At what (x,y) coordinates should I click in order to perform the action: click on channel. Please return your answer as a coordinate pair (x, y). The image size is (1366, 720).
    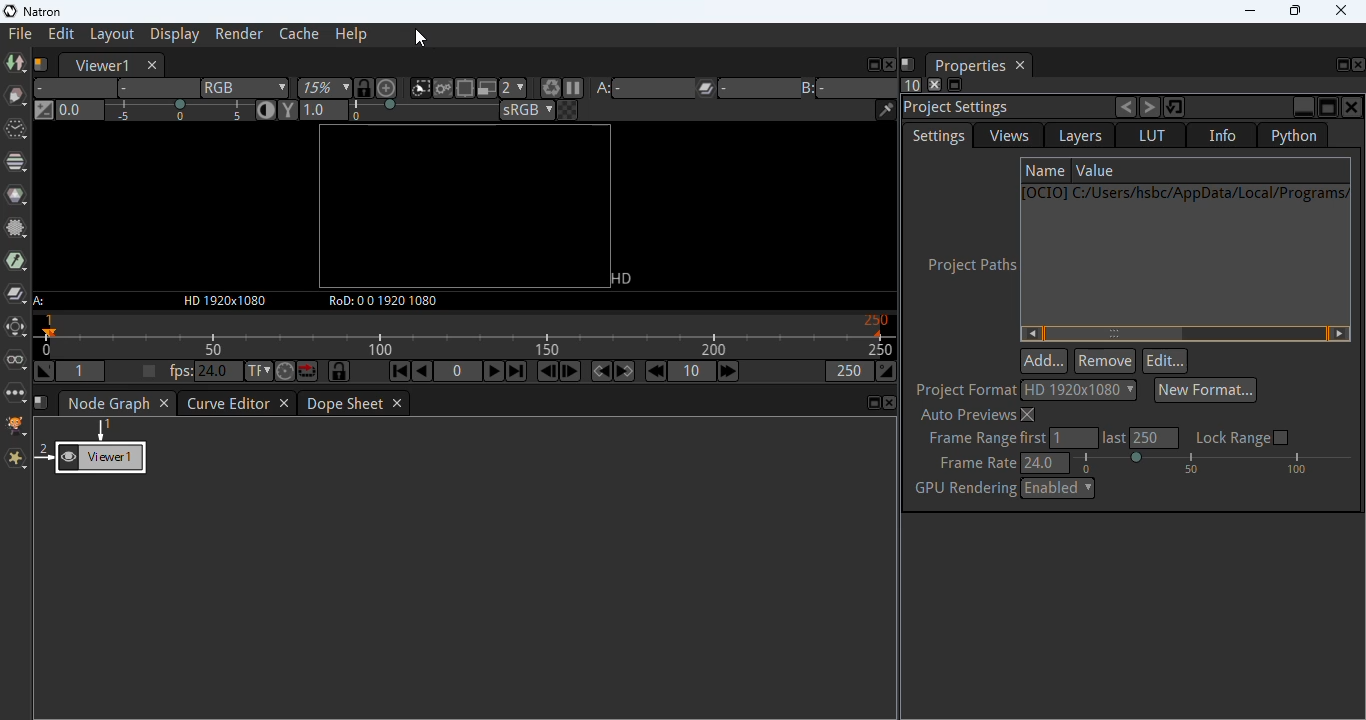
    Looking at the image, I should click on (15, 162).